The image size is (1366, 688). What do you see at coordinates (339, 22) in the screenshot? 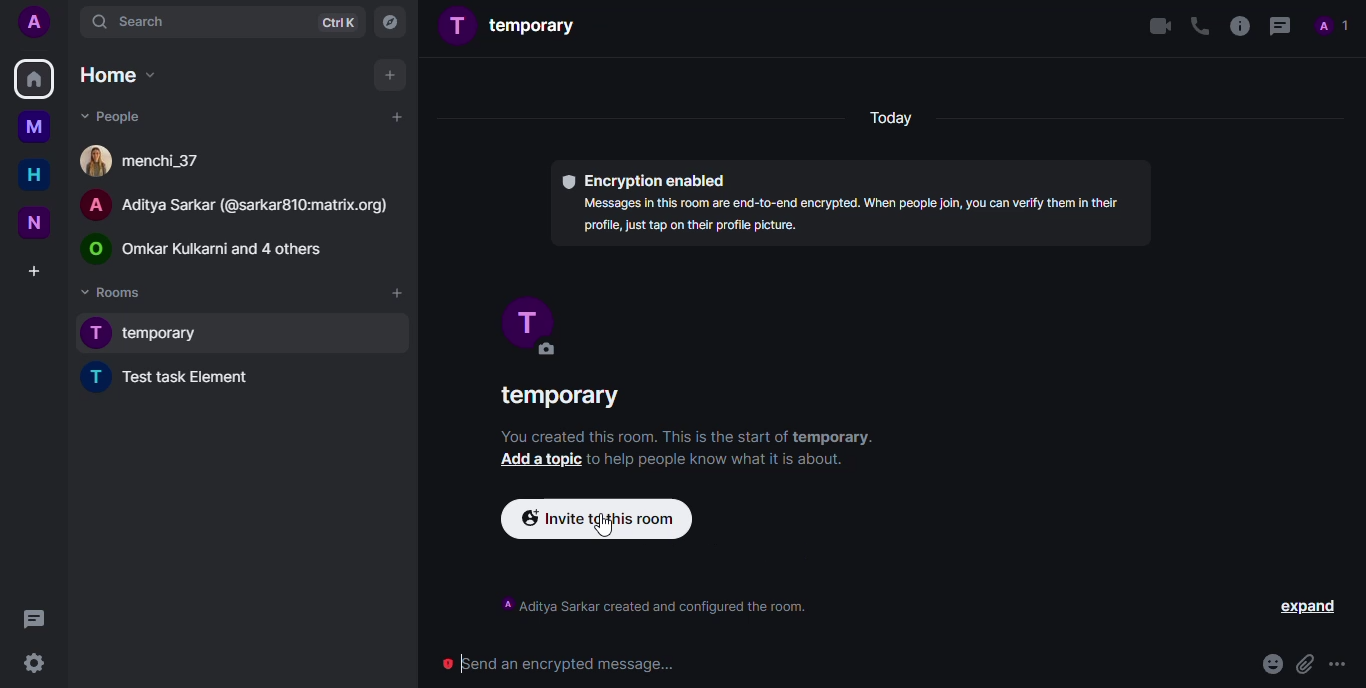
I see `ctrlK` at bounding box center [339, 22].